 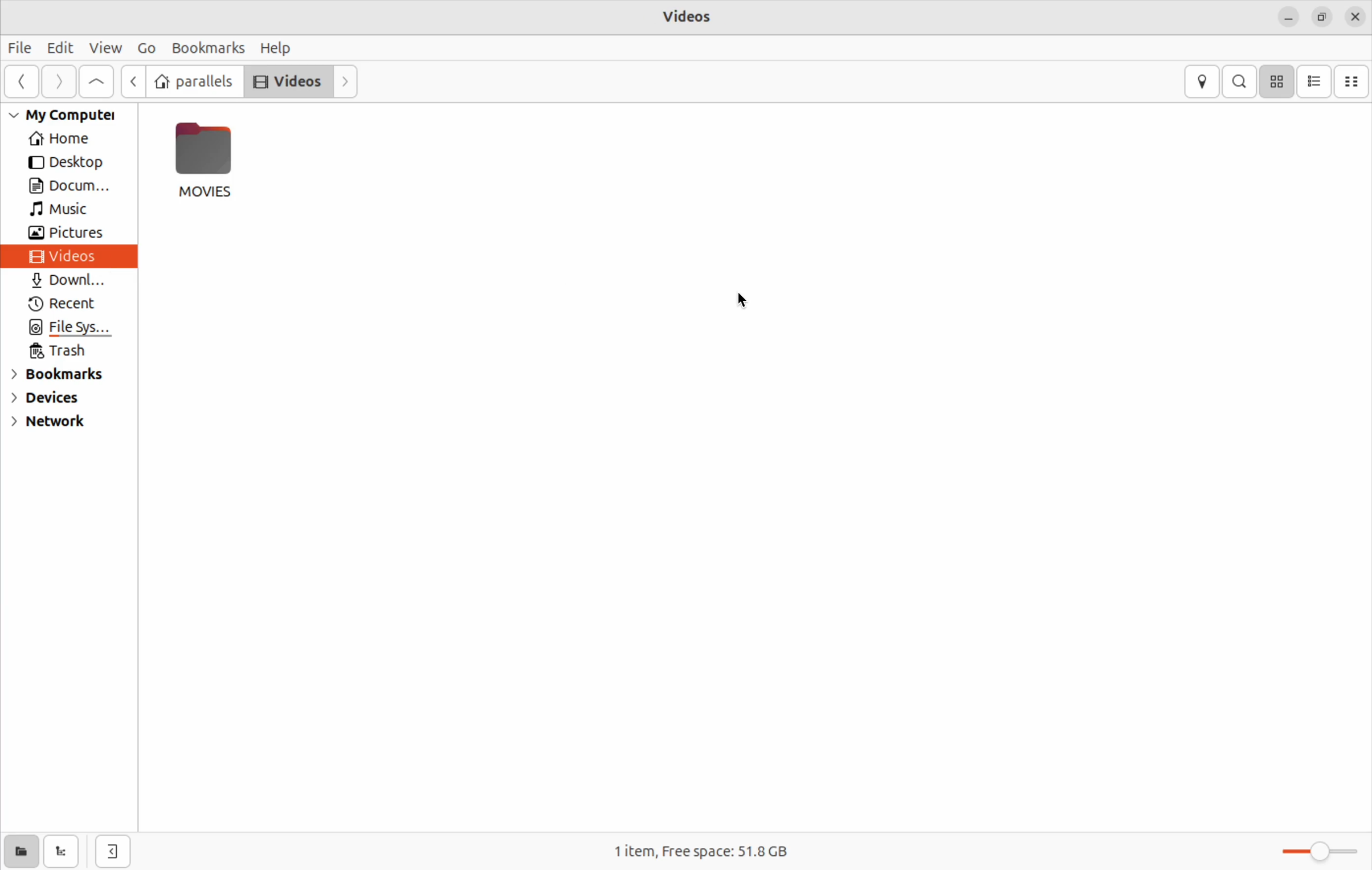 I want to click on File, so click(x=18, y=48).